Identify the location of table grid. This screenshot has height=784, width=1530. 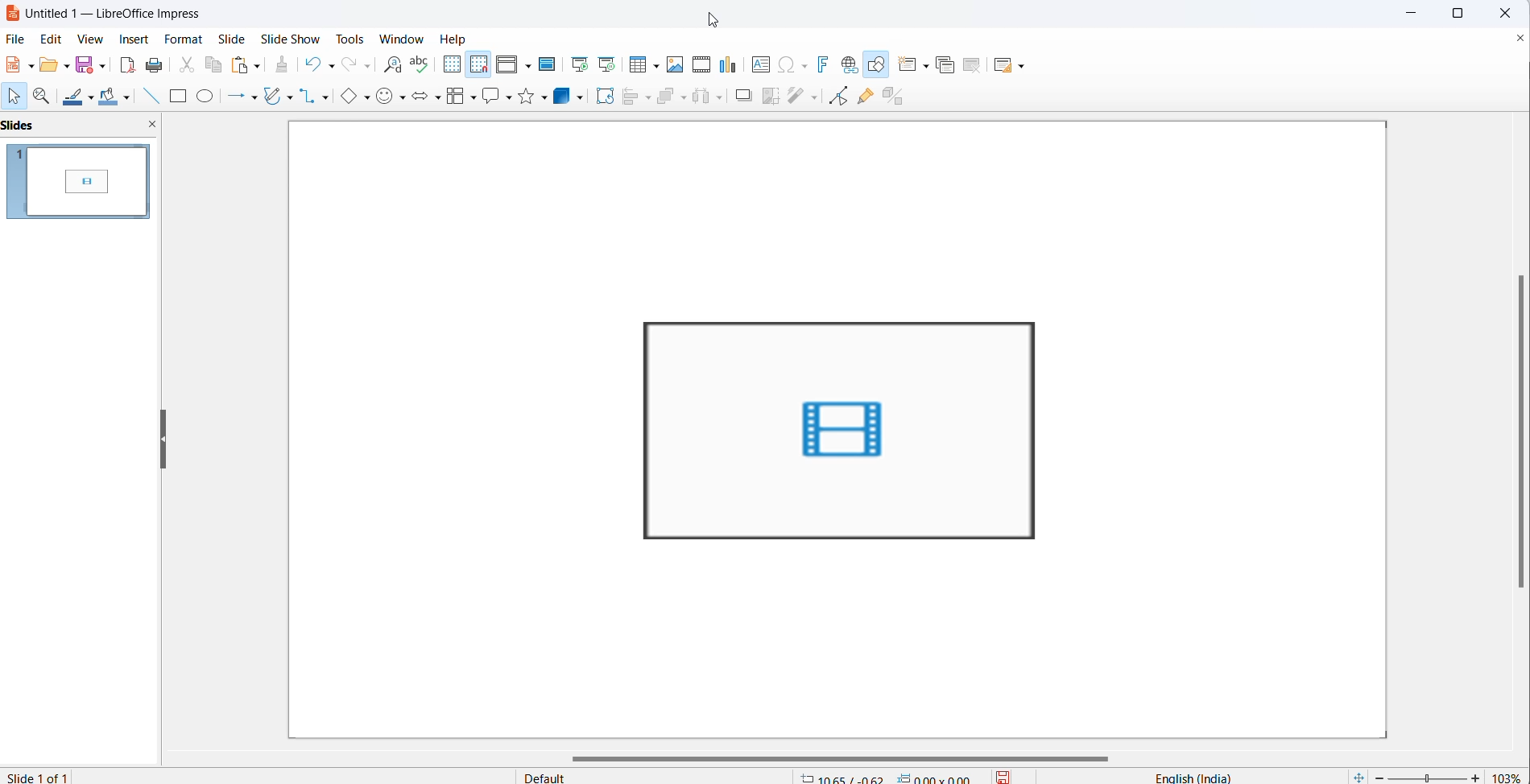
(655, 66).